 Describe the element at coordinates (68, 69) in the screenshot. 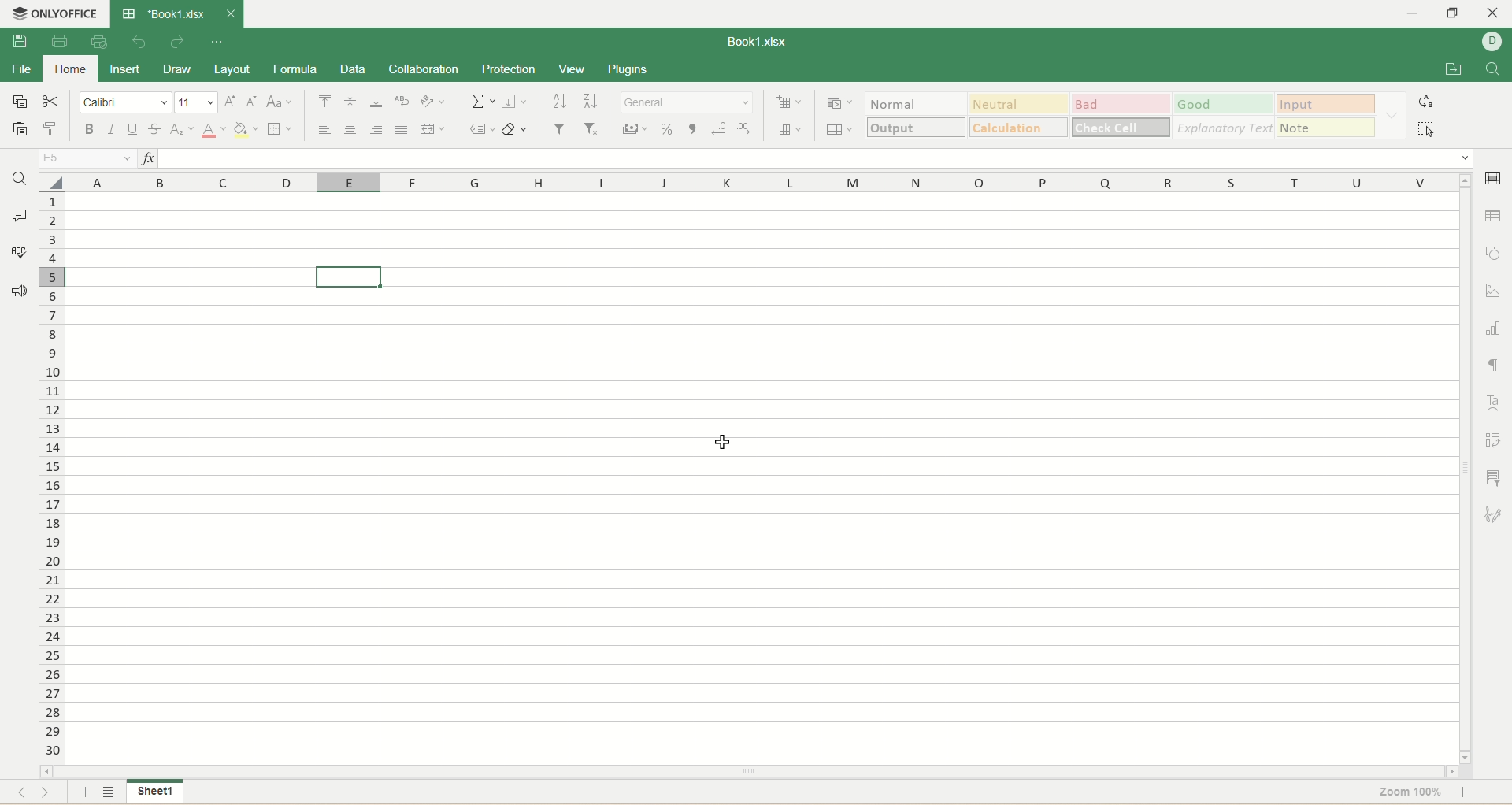

I see `home` at that location.